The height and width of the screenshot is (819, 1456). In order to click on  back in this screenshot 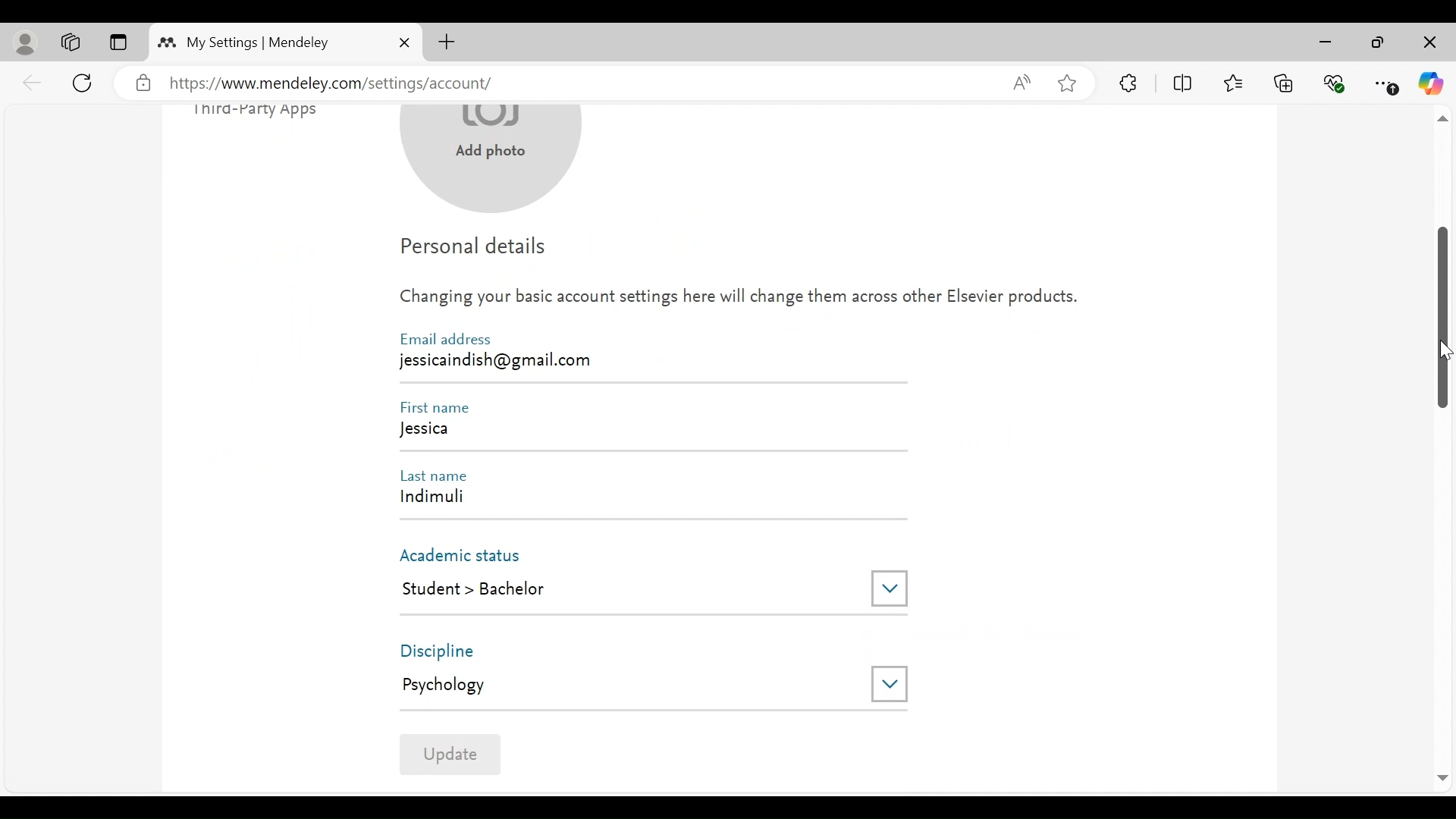, I will do `click(33, 82)`.